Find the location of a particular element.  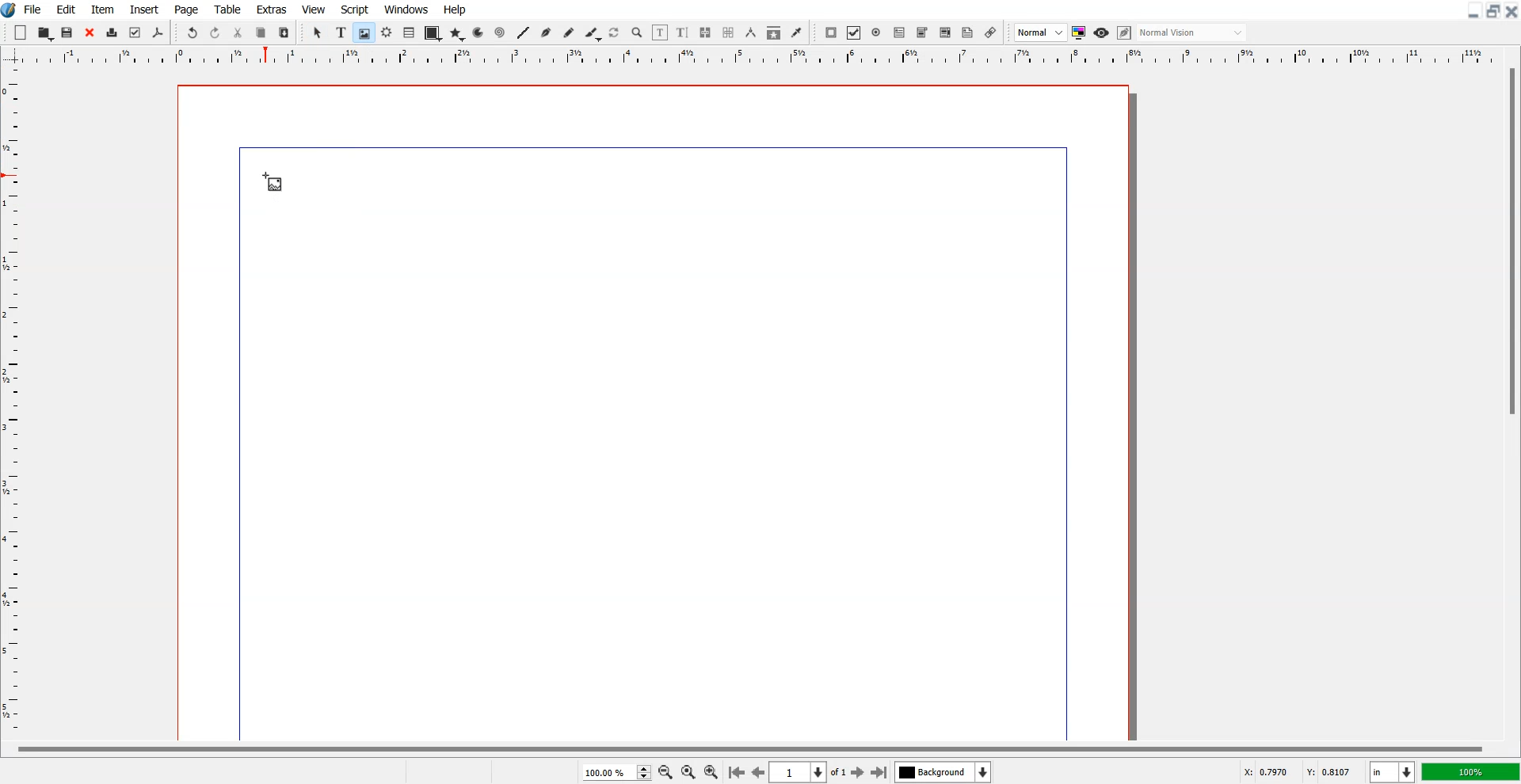

Preview is located at coordinates (1101, 32).